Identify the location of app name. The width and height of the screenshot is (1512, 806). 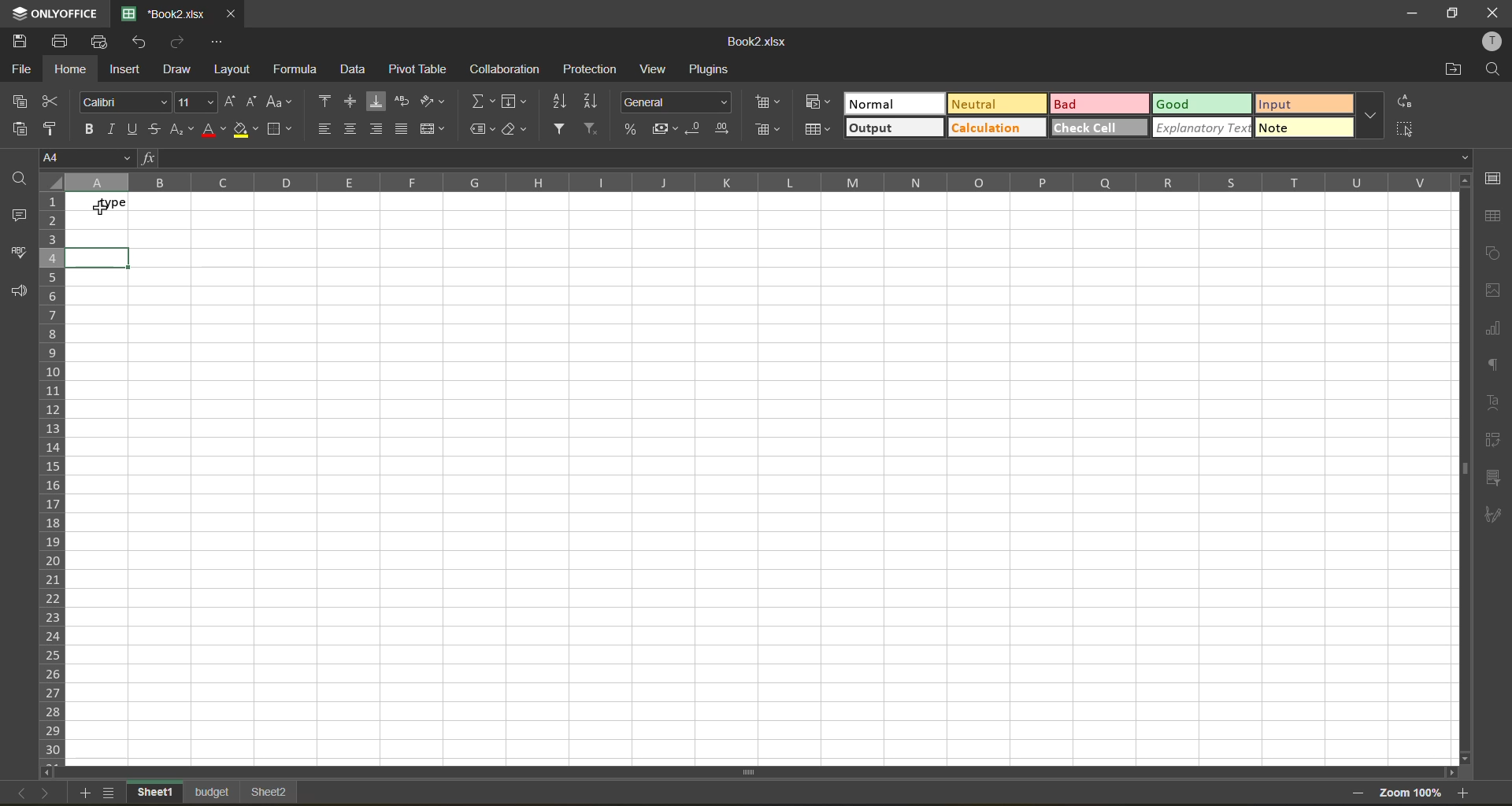
(50, 13).